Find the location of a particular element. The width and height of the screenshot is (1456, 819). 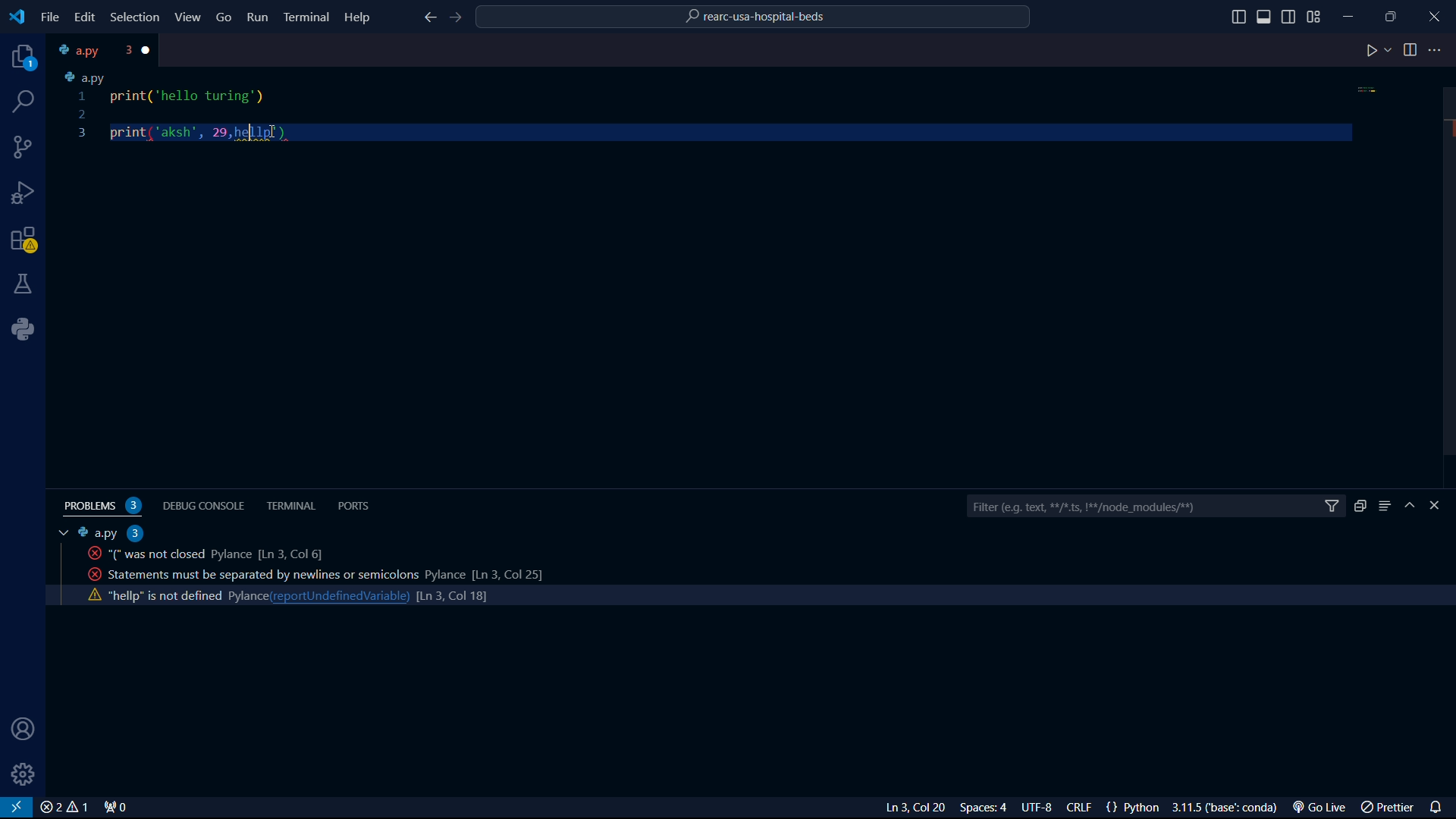

Run is located at coordinates (259, 20).